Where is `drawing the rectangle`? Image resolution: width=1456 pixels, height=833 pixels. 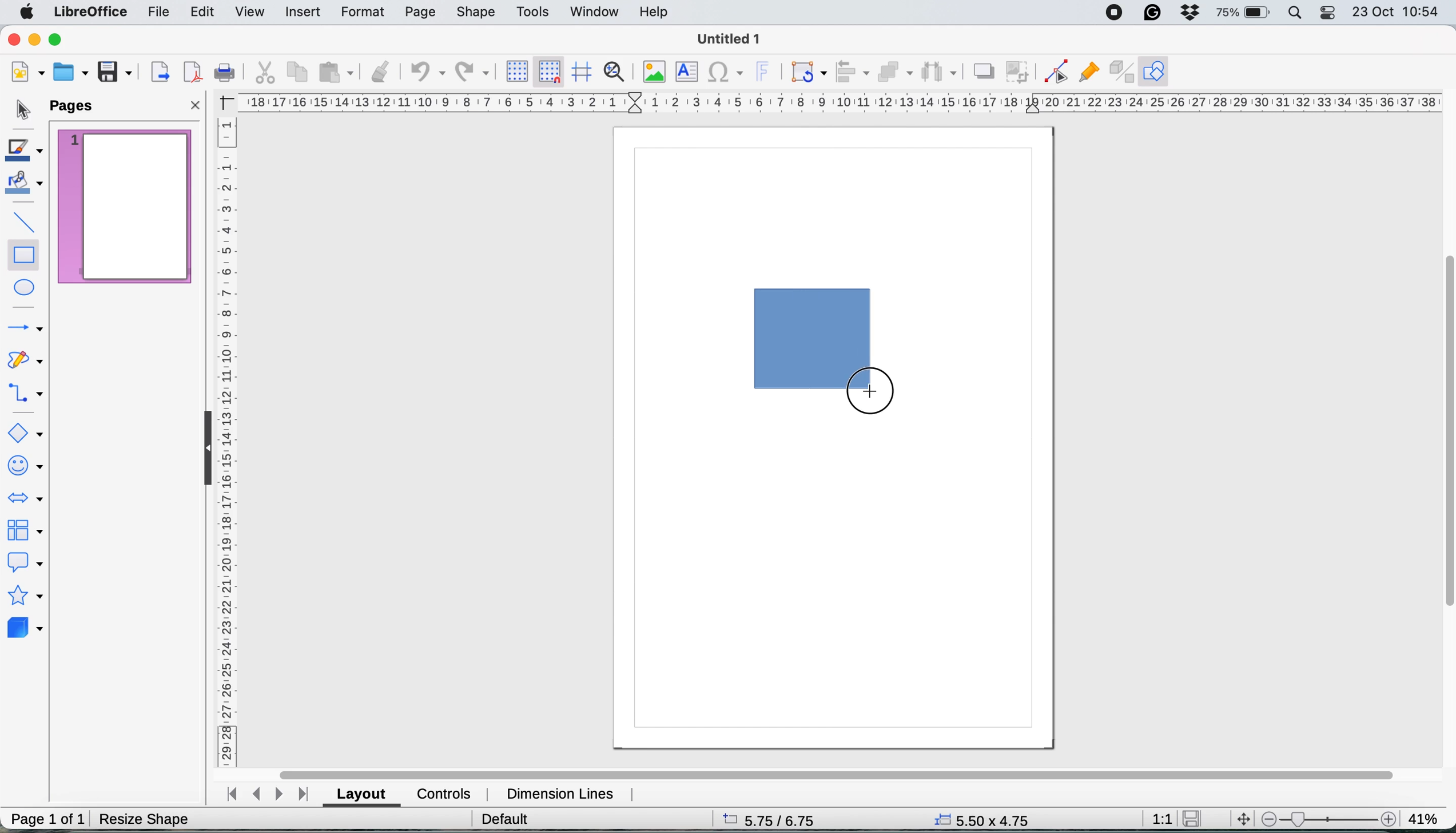
drawing the rectangle is located at coordinates (817, 340).